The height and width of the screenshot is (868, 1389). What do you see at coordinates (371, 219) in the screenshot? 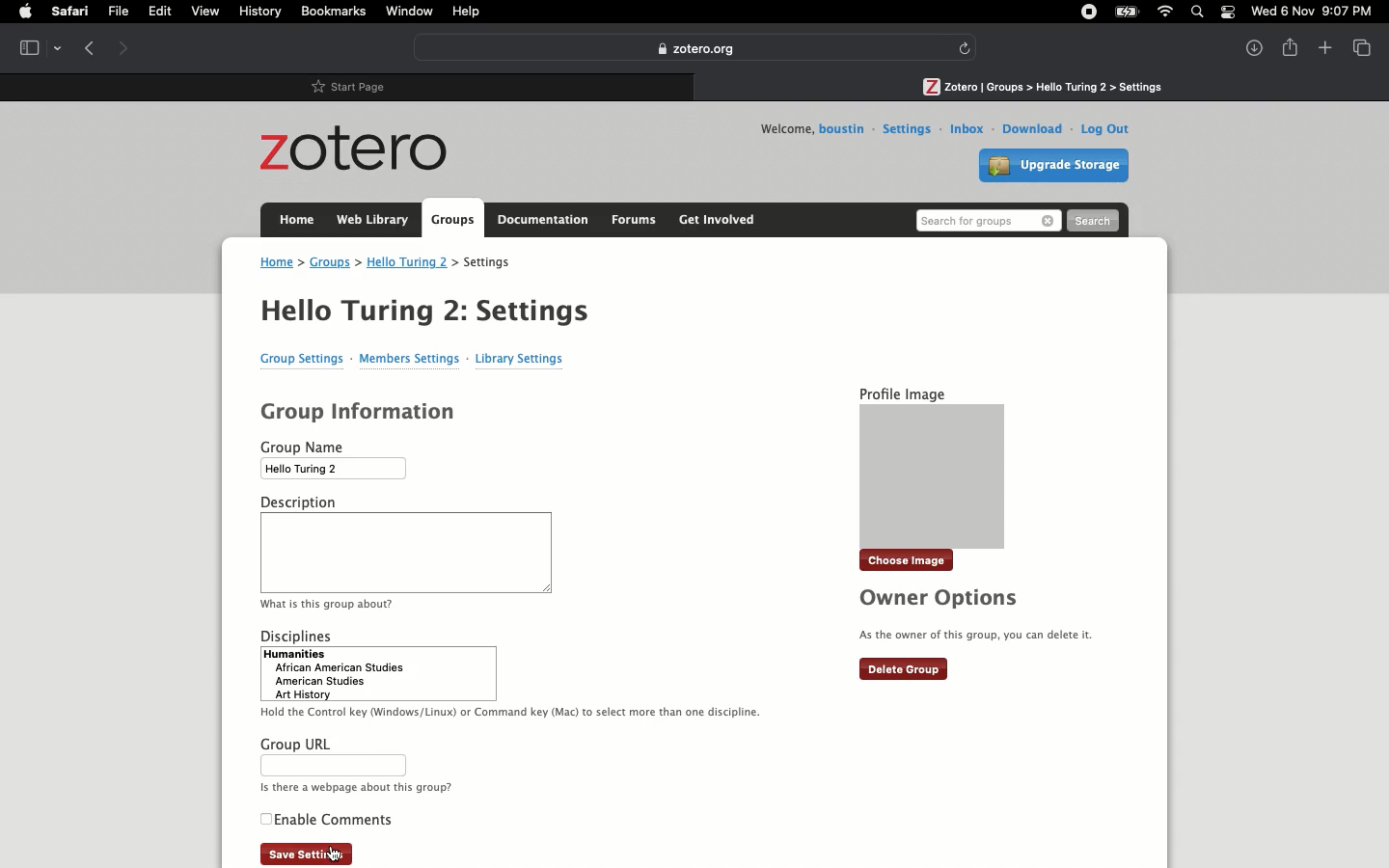
I see `Web library` at bounding box center [371, 219].